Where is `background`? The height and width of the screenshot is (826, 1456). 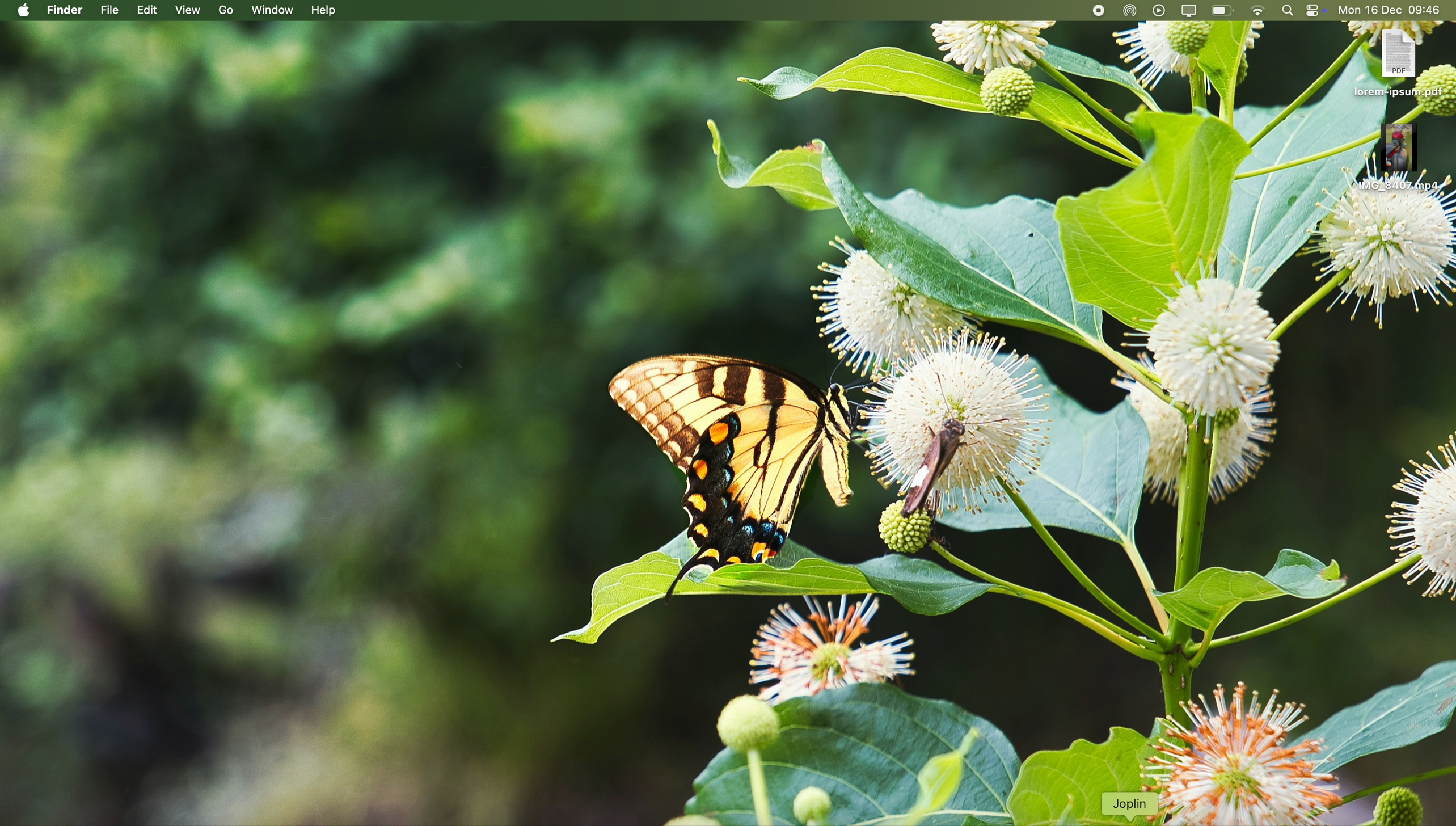
background is located at coordinates (670, 402).